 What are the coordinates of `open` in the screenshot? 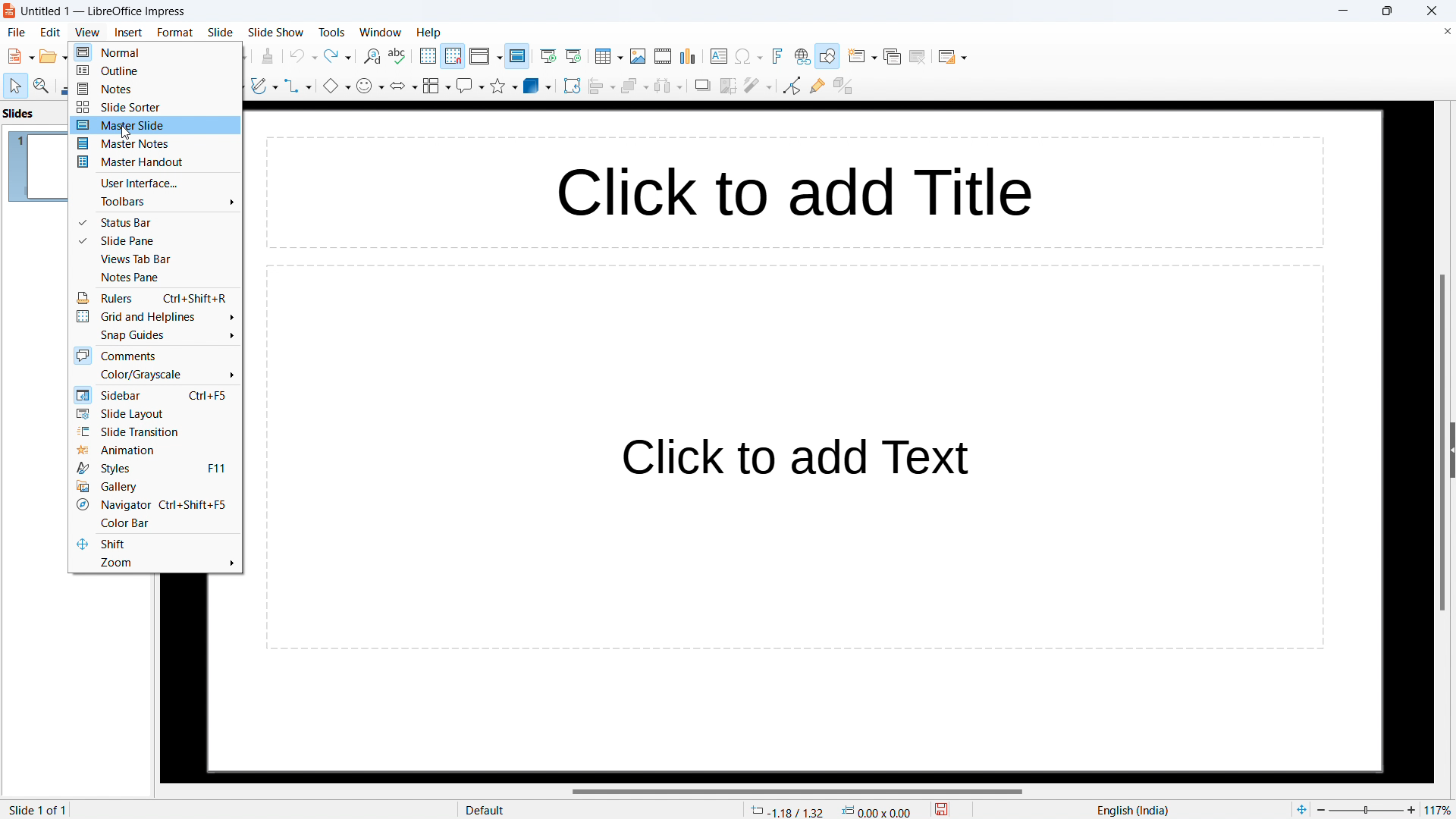 It's located at (53, 56).